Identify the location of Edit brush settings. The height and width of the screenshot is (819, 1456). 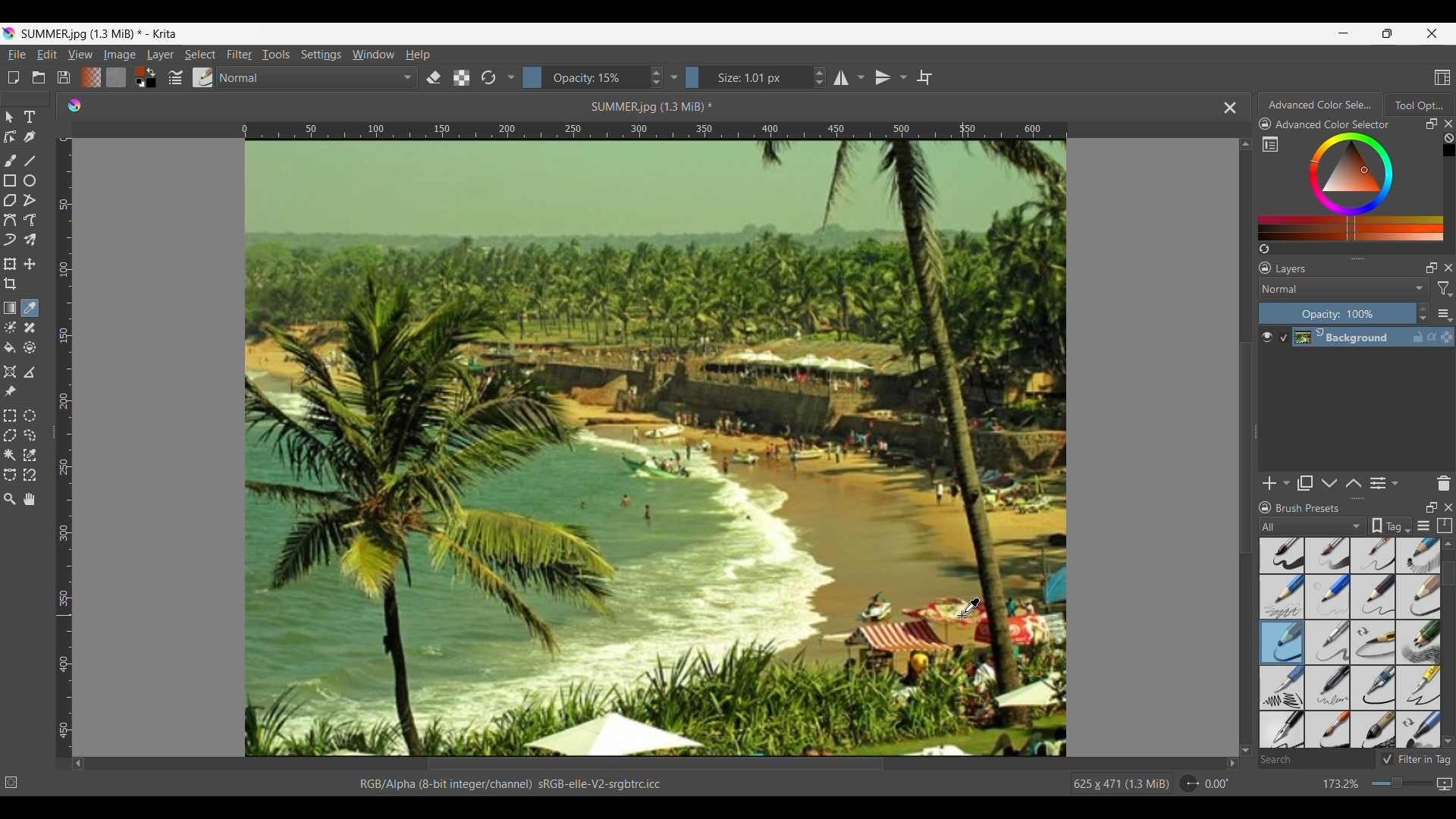
(176, 77).